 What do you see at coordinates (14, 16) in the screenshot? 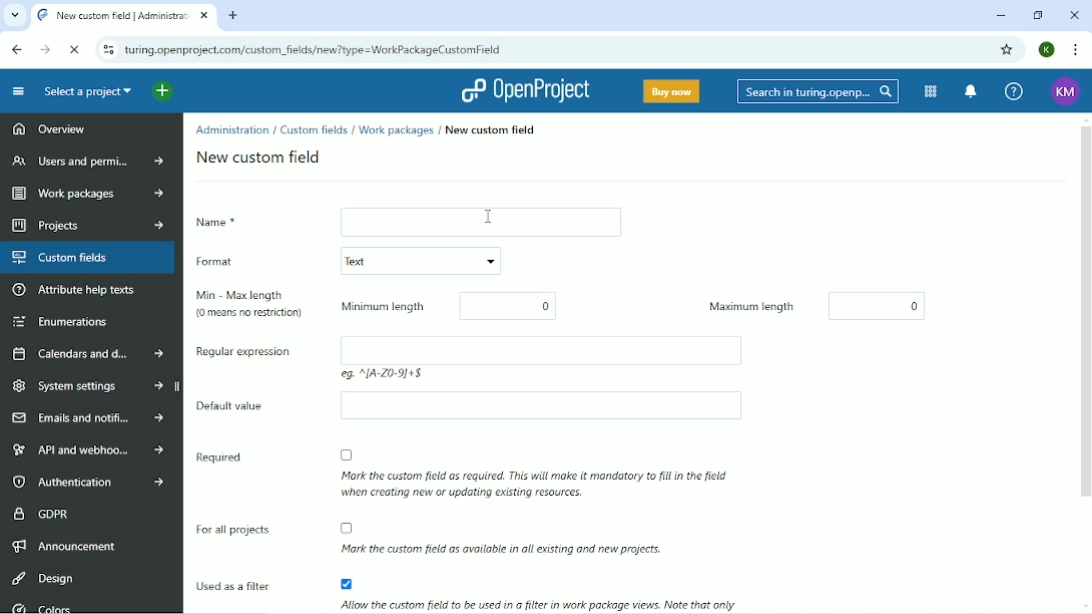
I see `Search tabs` at bounding box center [14, 16].